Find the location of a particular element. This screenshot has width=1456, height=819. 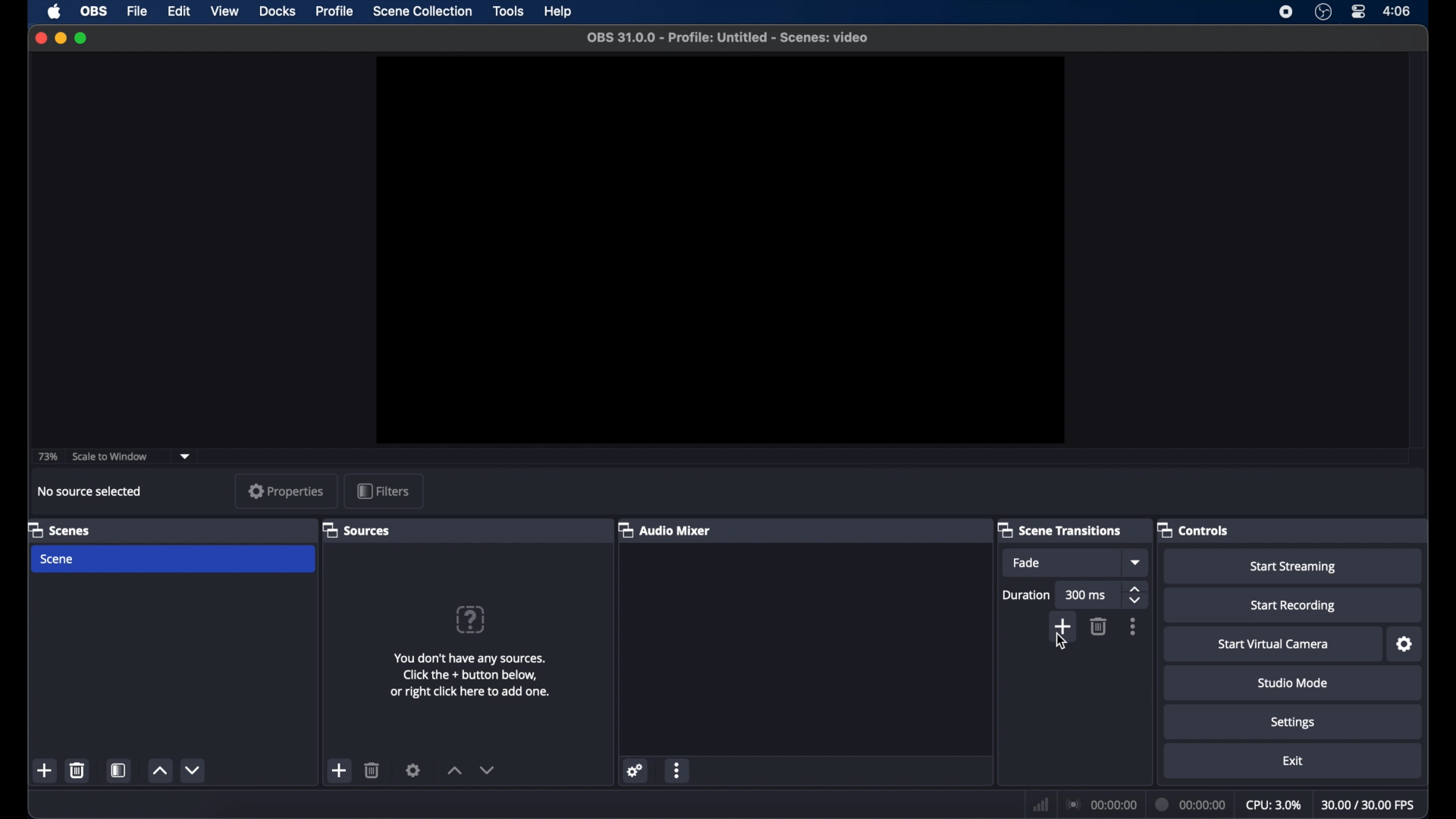

scene filters is located at coordinates (119, 770).